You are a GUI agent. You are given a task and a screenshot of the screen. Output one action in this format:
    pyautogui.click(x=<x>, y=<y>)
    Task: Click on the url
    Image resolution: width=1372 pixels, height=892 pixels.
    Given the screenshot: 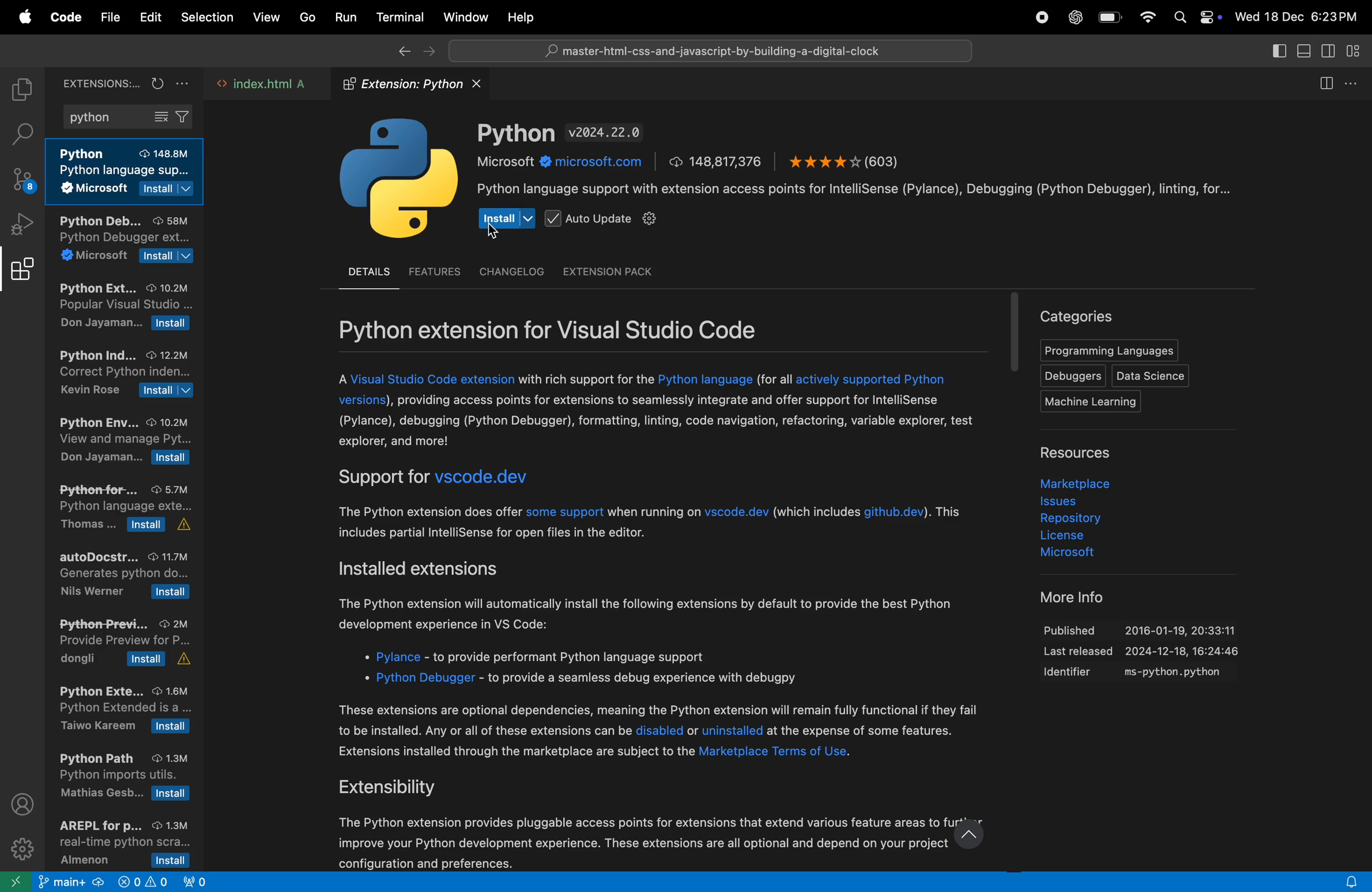 What is the action you would take?
    pyautogui.click(x=564, y=162)
    